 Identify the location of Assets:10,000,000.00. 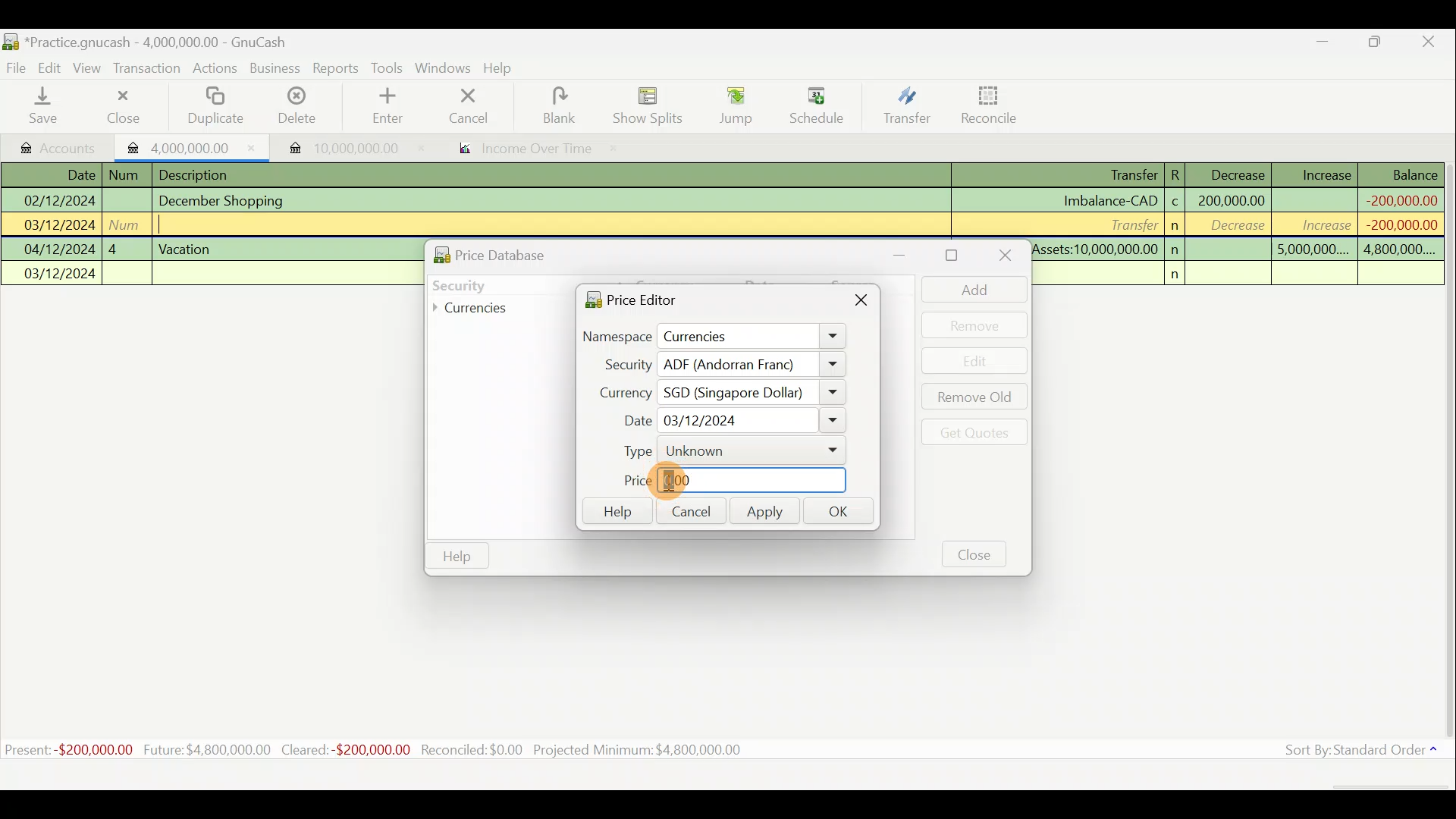
(1095, 247).